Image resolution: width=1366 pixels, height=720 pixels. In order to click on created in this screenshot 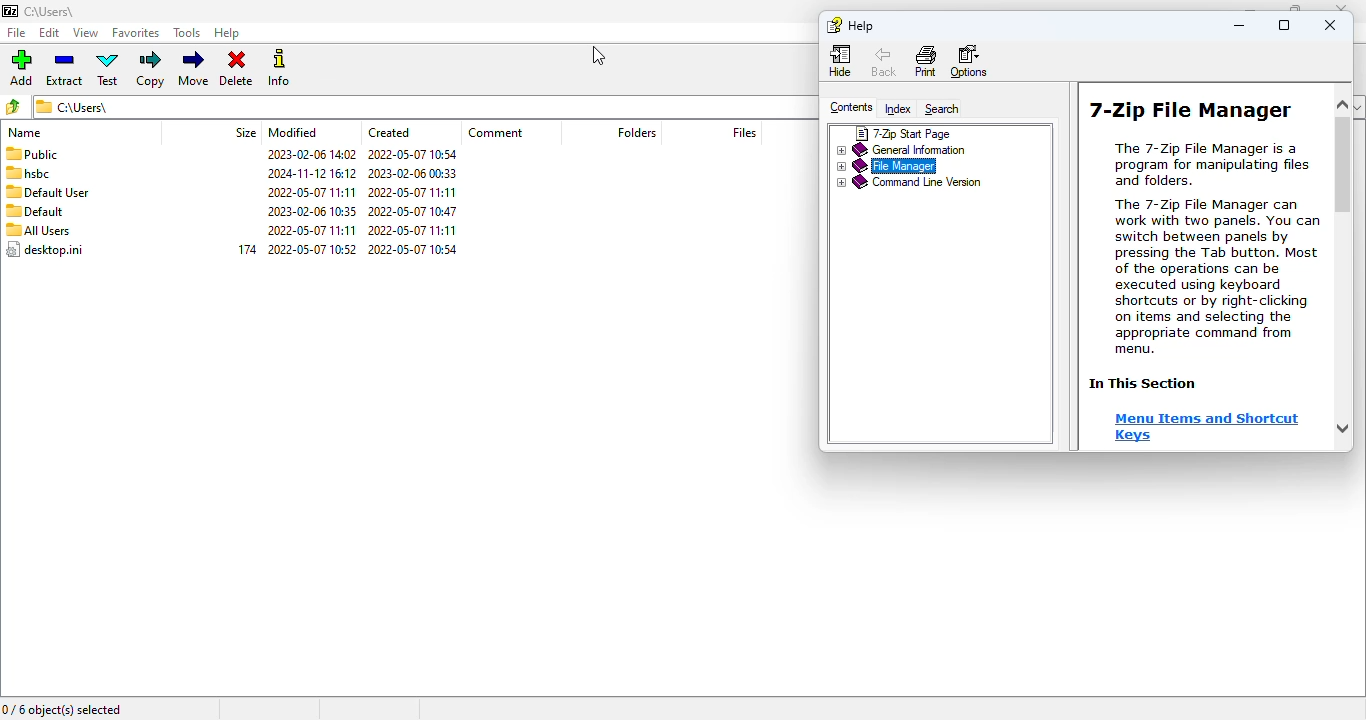, I will do `click(389, 132)`.